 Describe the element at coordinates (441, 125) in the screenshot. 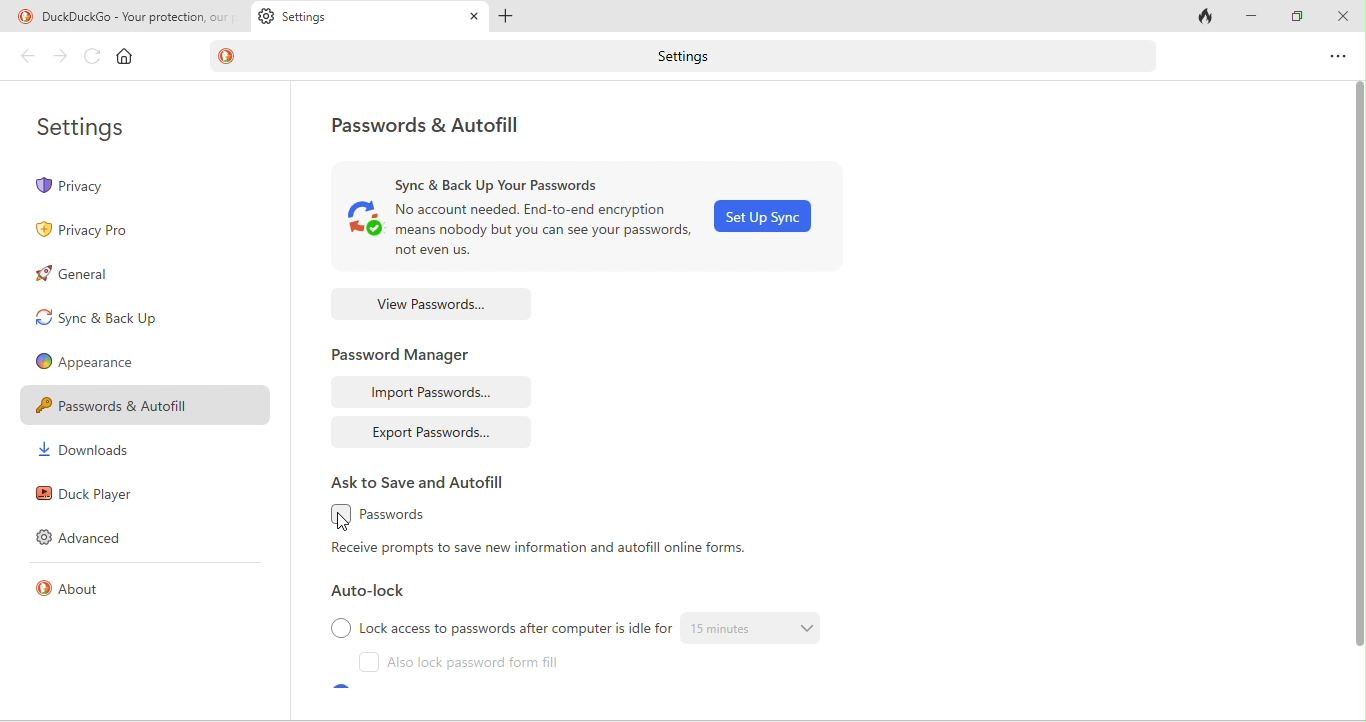

I see `password and autofill` at that location.